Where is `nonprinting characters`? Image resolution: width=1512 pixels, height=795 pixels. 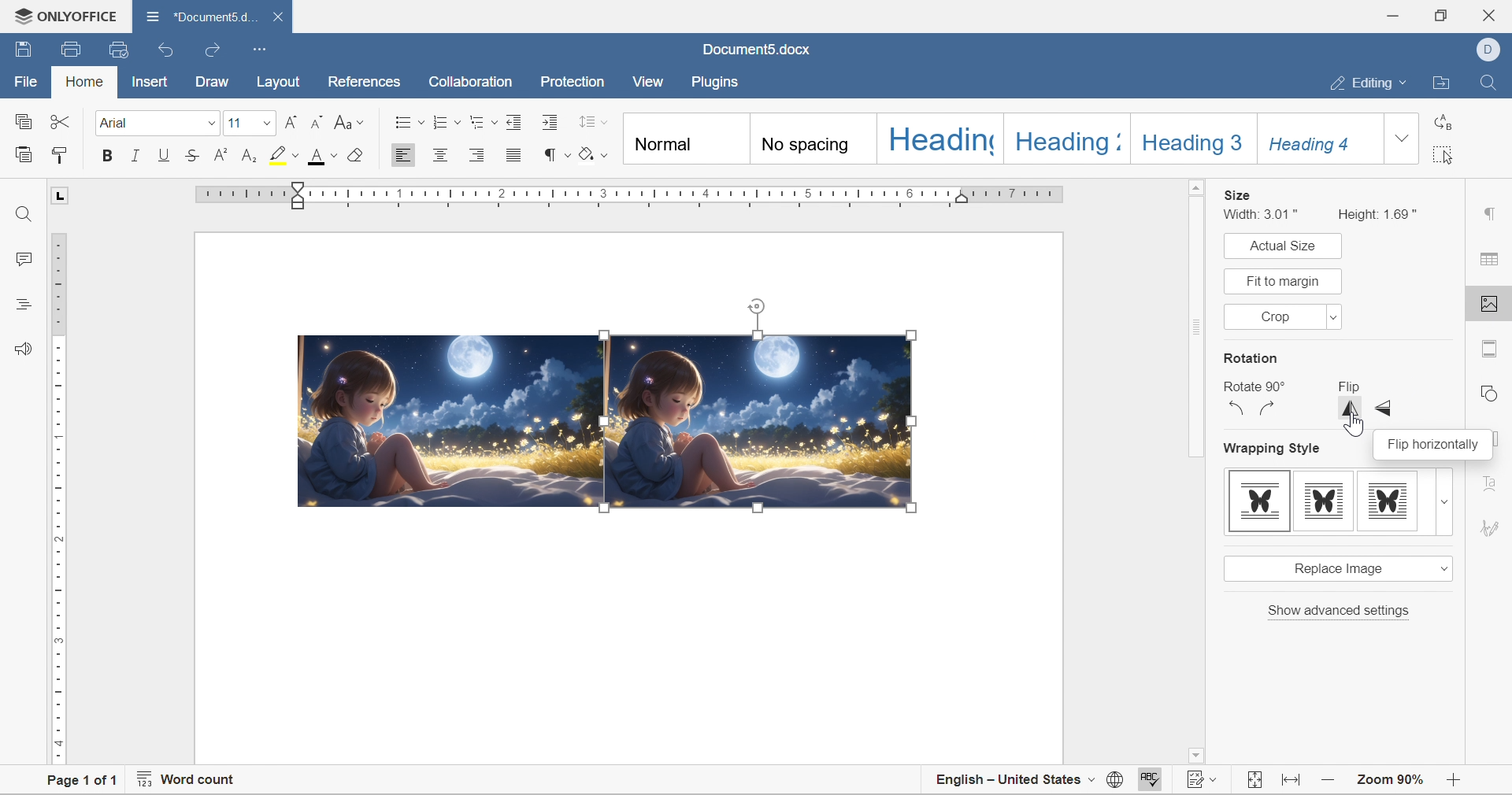 nonprinting characters is located at coordinates (556, 154).